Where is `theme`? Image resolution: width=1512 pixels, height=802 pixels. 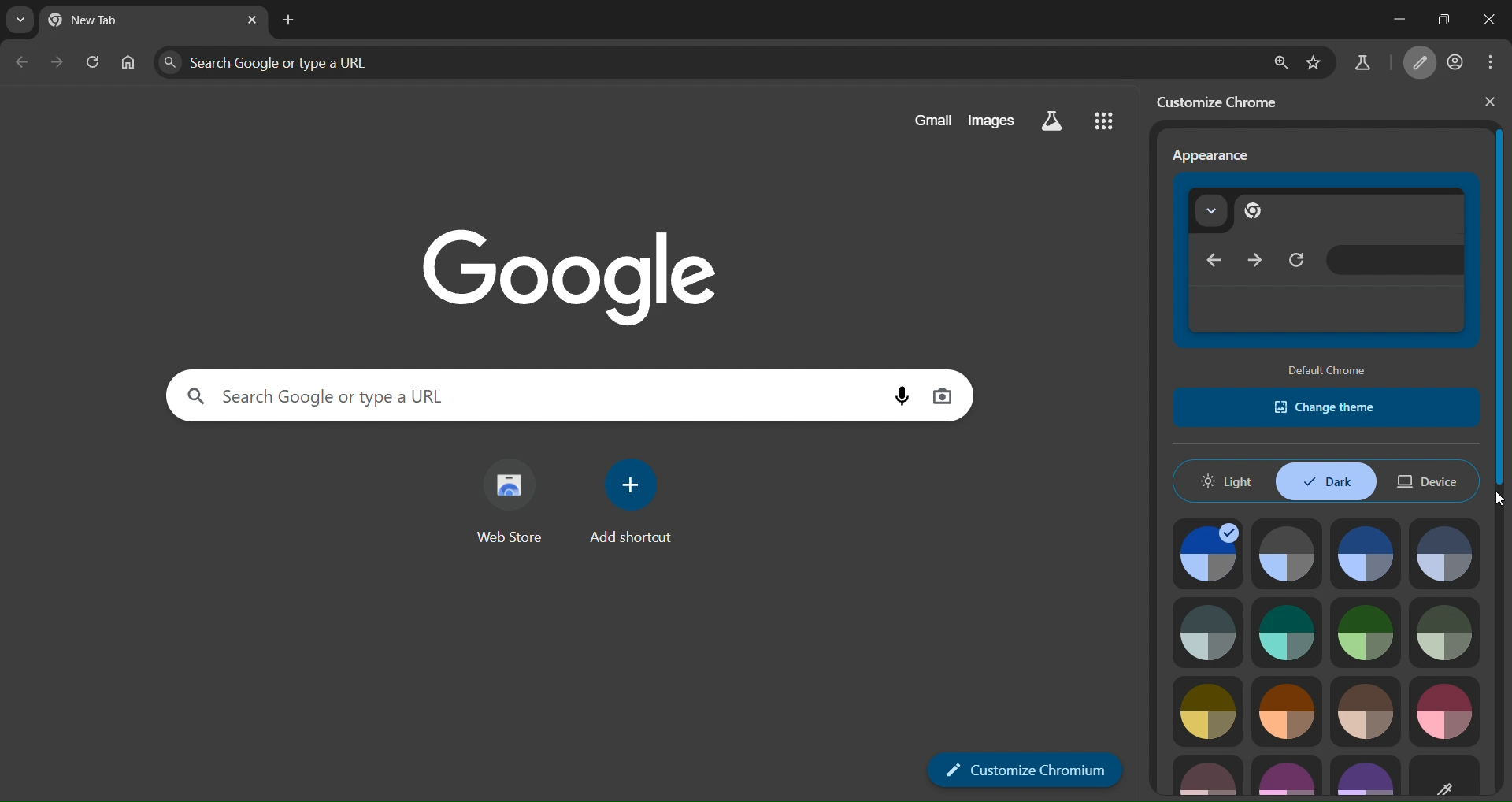 theme is located at coordinates (1206, 632).